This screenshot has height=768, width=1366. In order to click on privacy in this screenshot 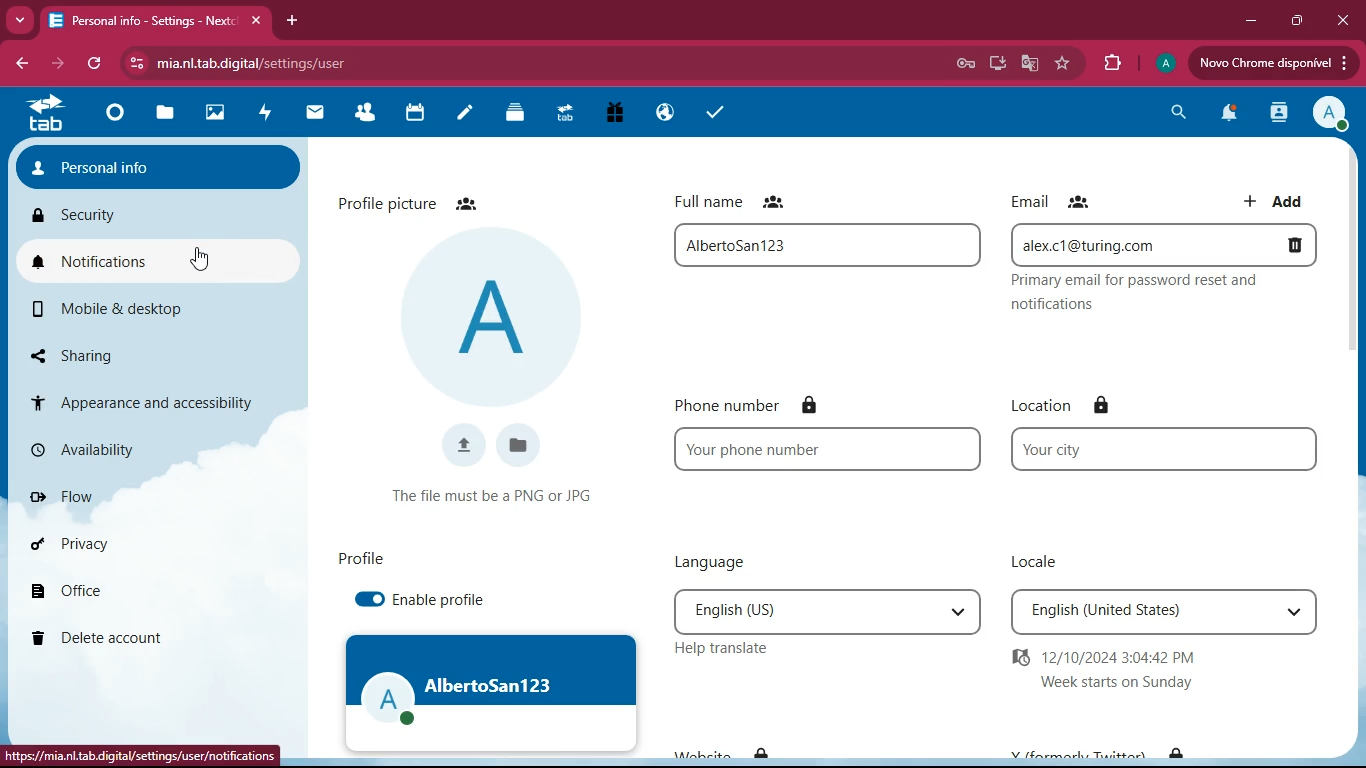, I will do `click(119, 544)`.